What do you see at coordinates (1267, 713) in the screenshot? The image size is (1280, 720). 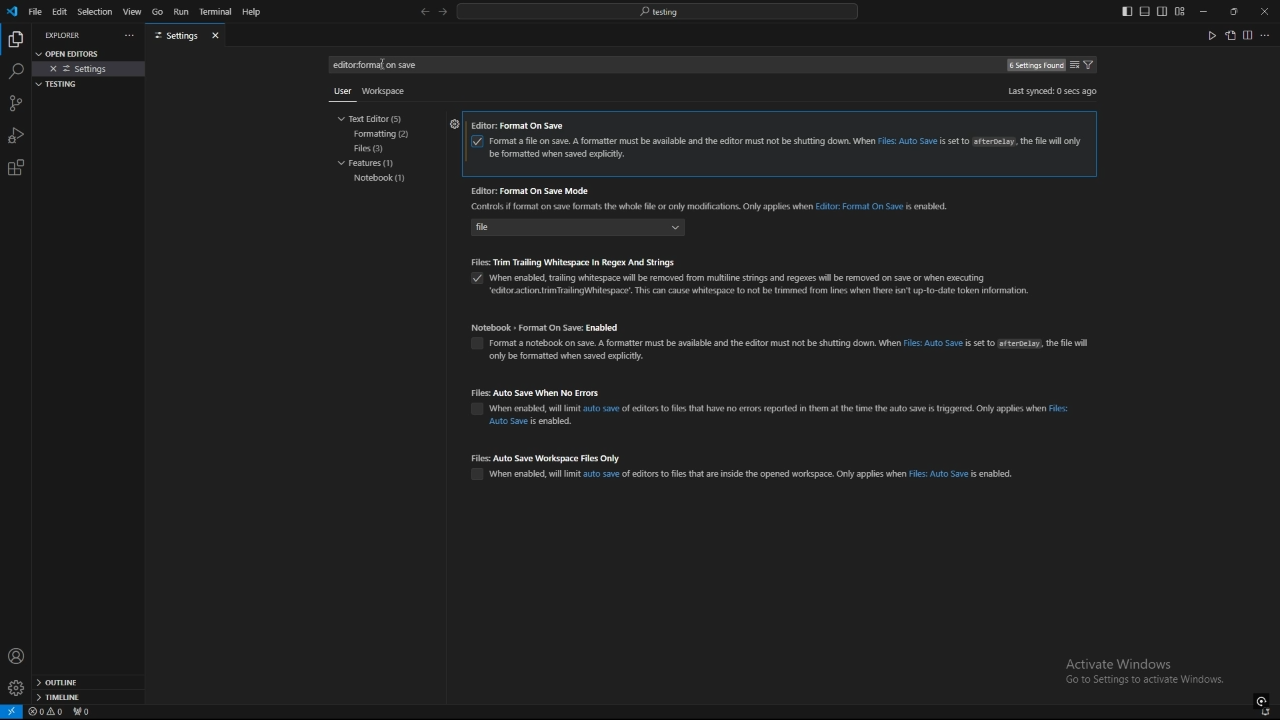 I see `notifications` at bounding box center [1267, 713].